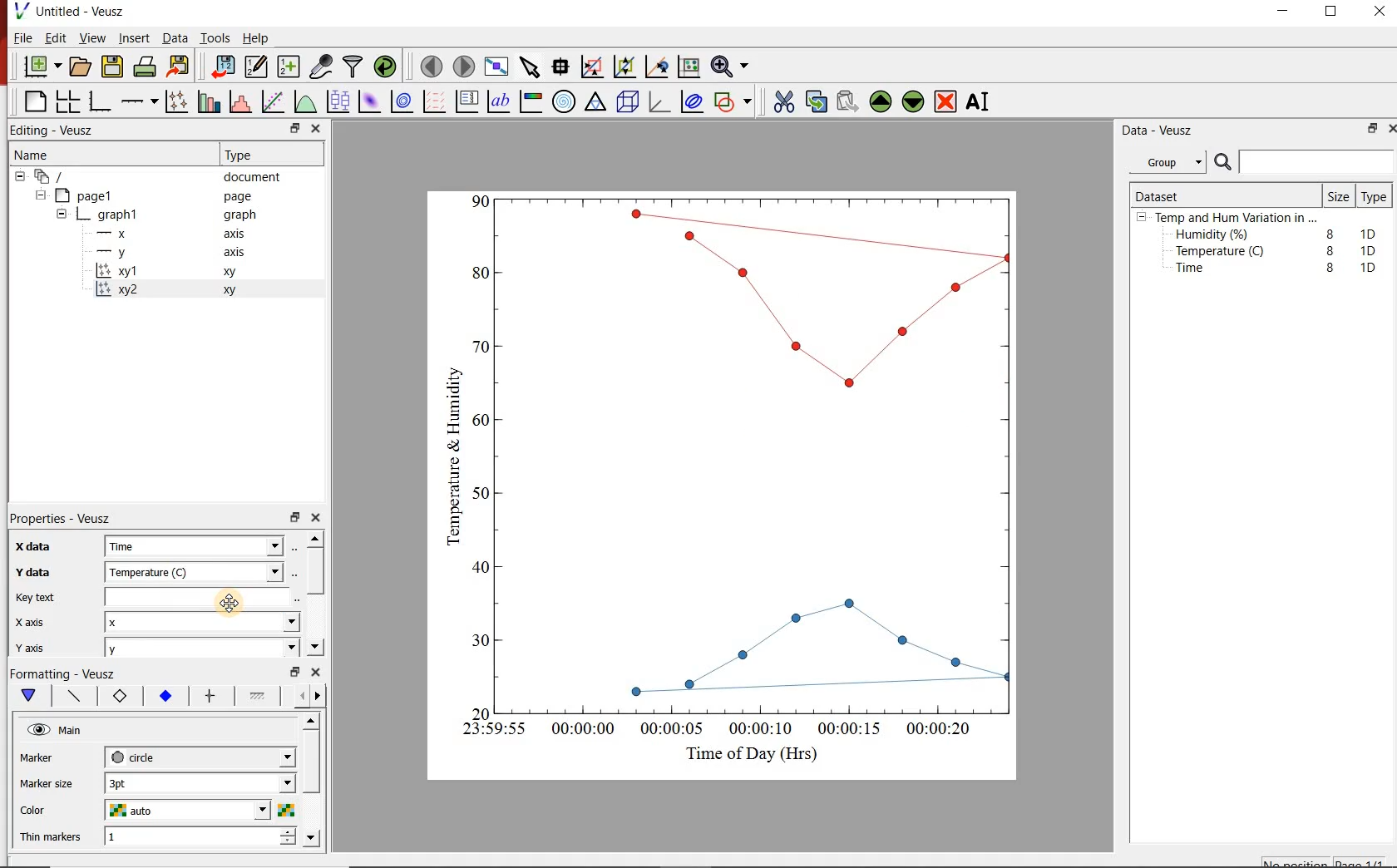 This screenshot has width=1397, height=868. What do you see at coordinates (481, 200) in the screenshot?
I see `90` at bounding box center [481, 200].